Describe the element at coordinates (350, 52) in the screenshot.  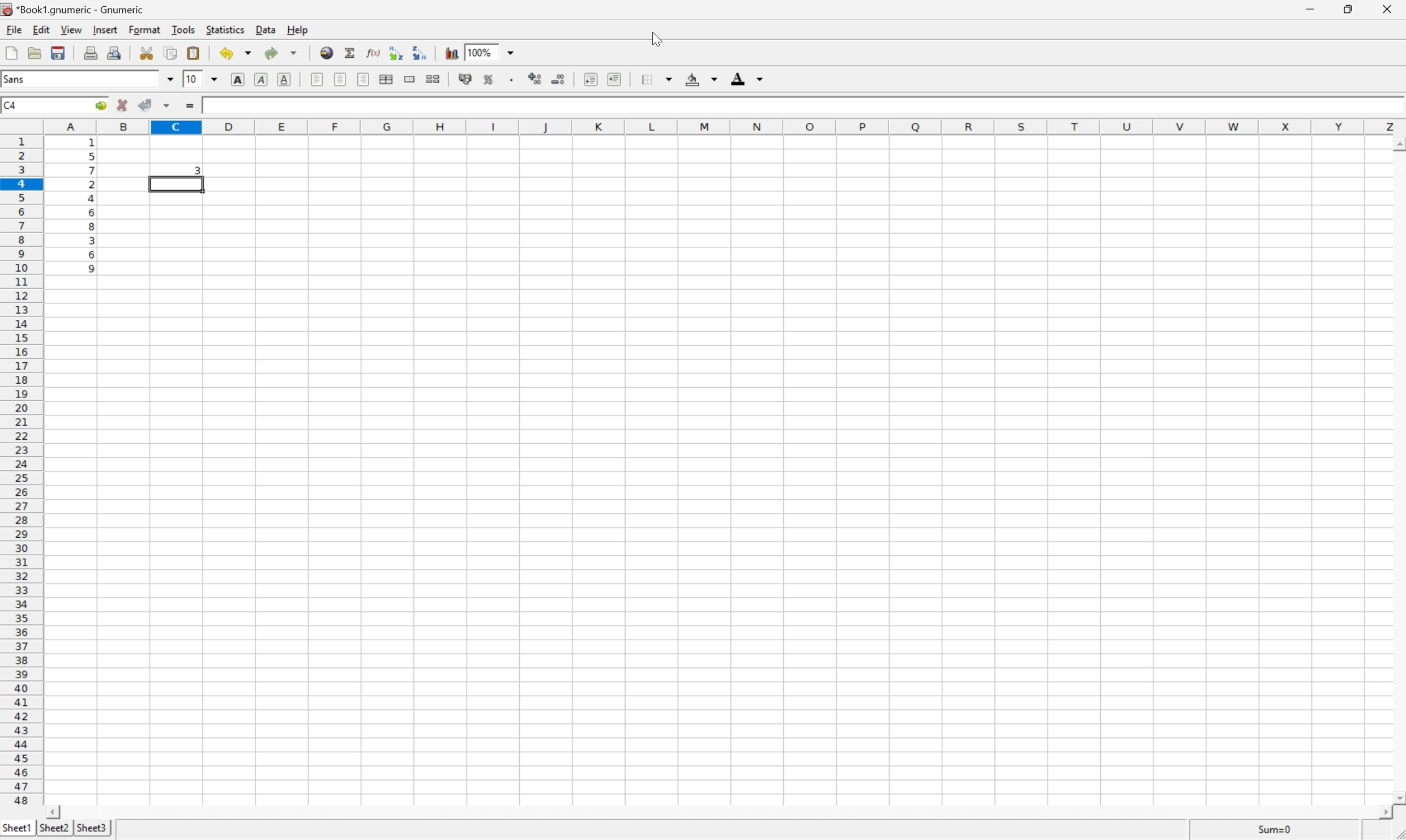
I see `sum in current cell` at that location.